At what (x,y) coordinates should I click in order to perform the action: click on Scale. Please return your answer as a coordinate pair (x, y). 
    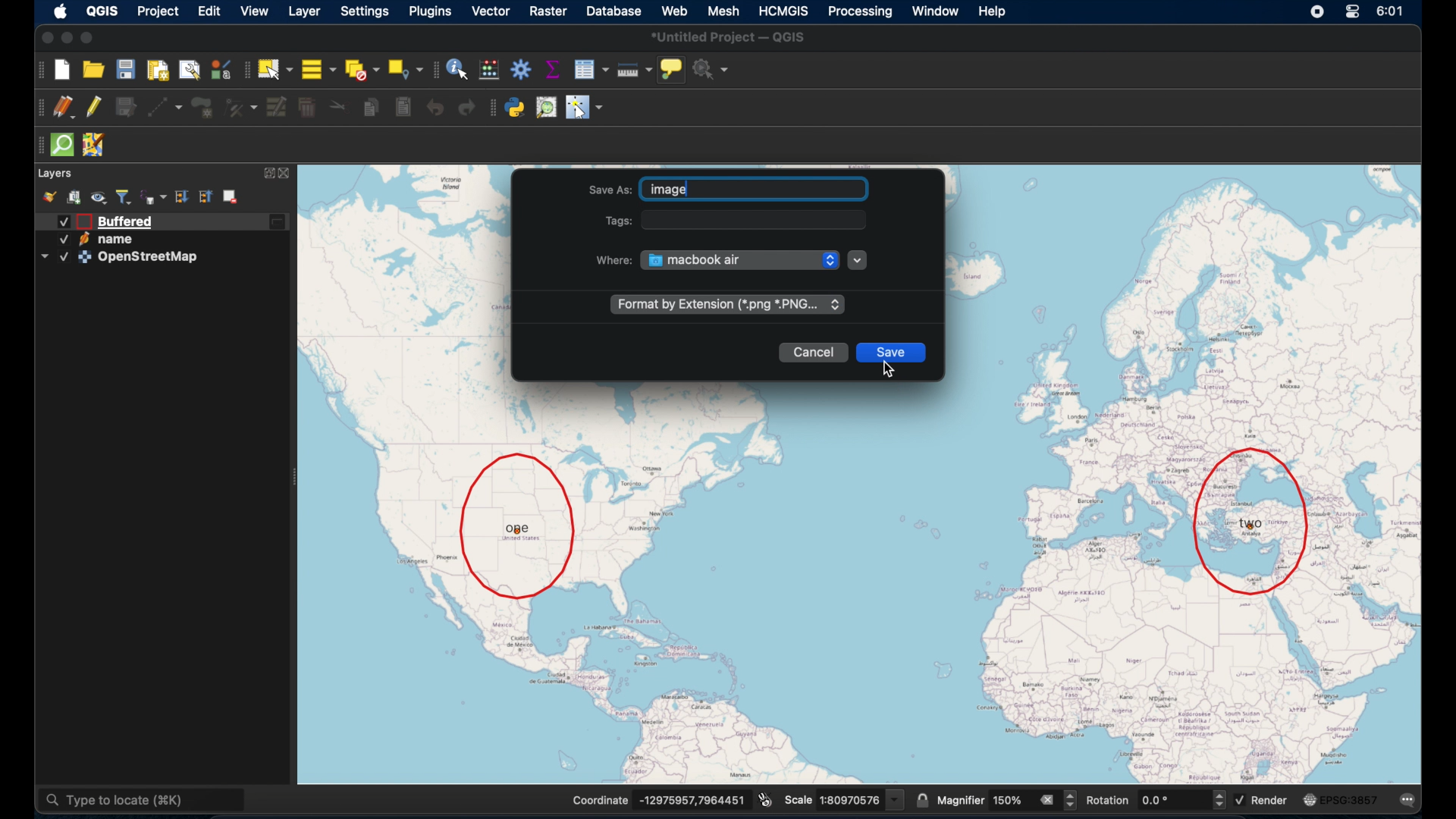
    Looking at the image, I should click on (799, 800).